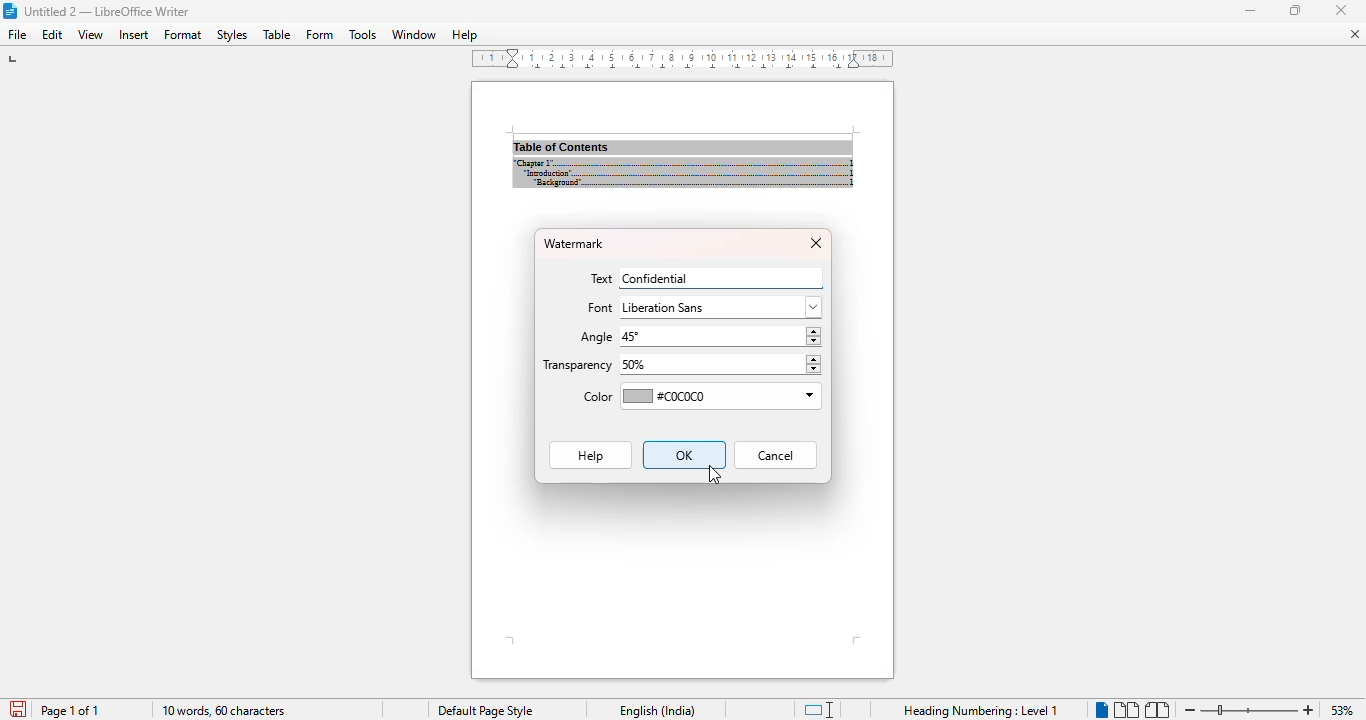  I want to click on heading numbering: level 1, so click(982, 711).